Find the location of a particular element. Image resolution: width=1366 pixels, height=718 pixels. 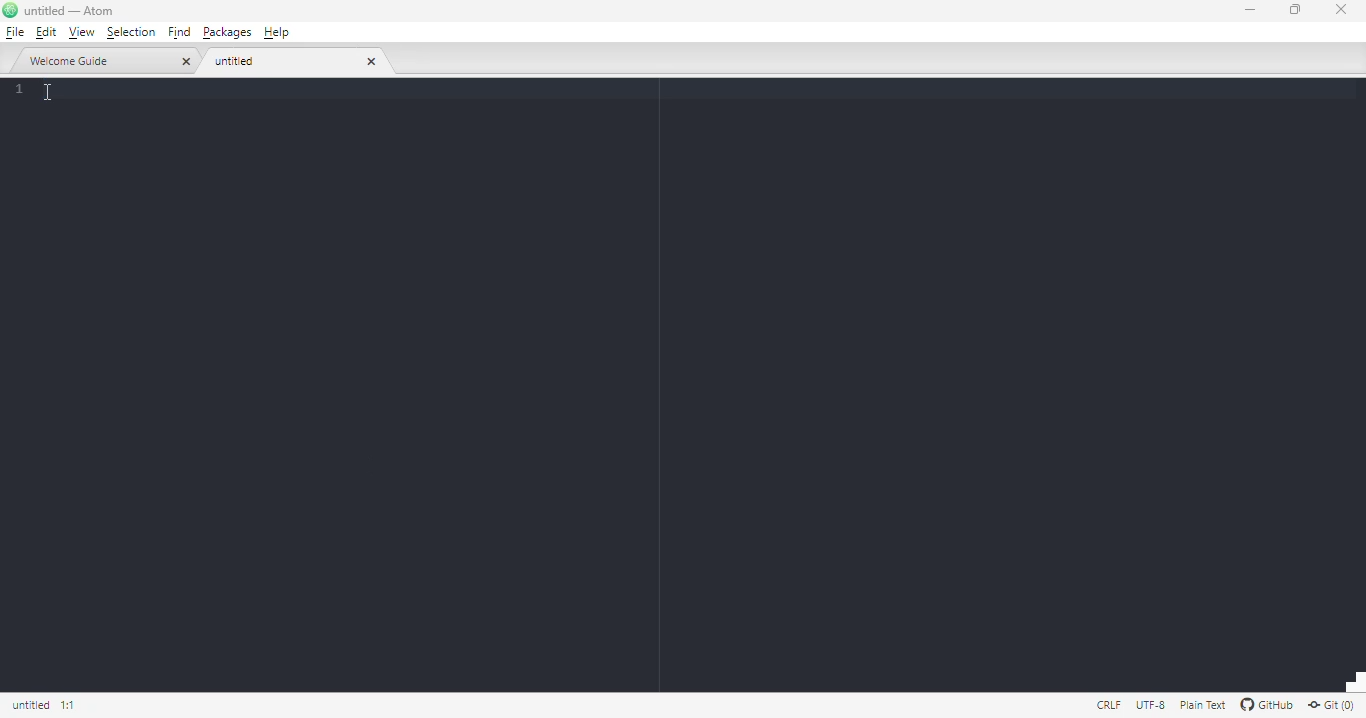

welcome guide is located at coordinates (96, 61).